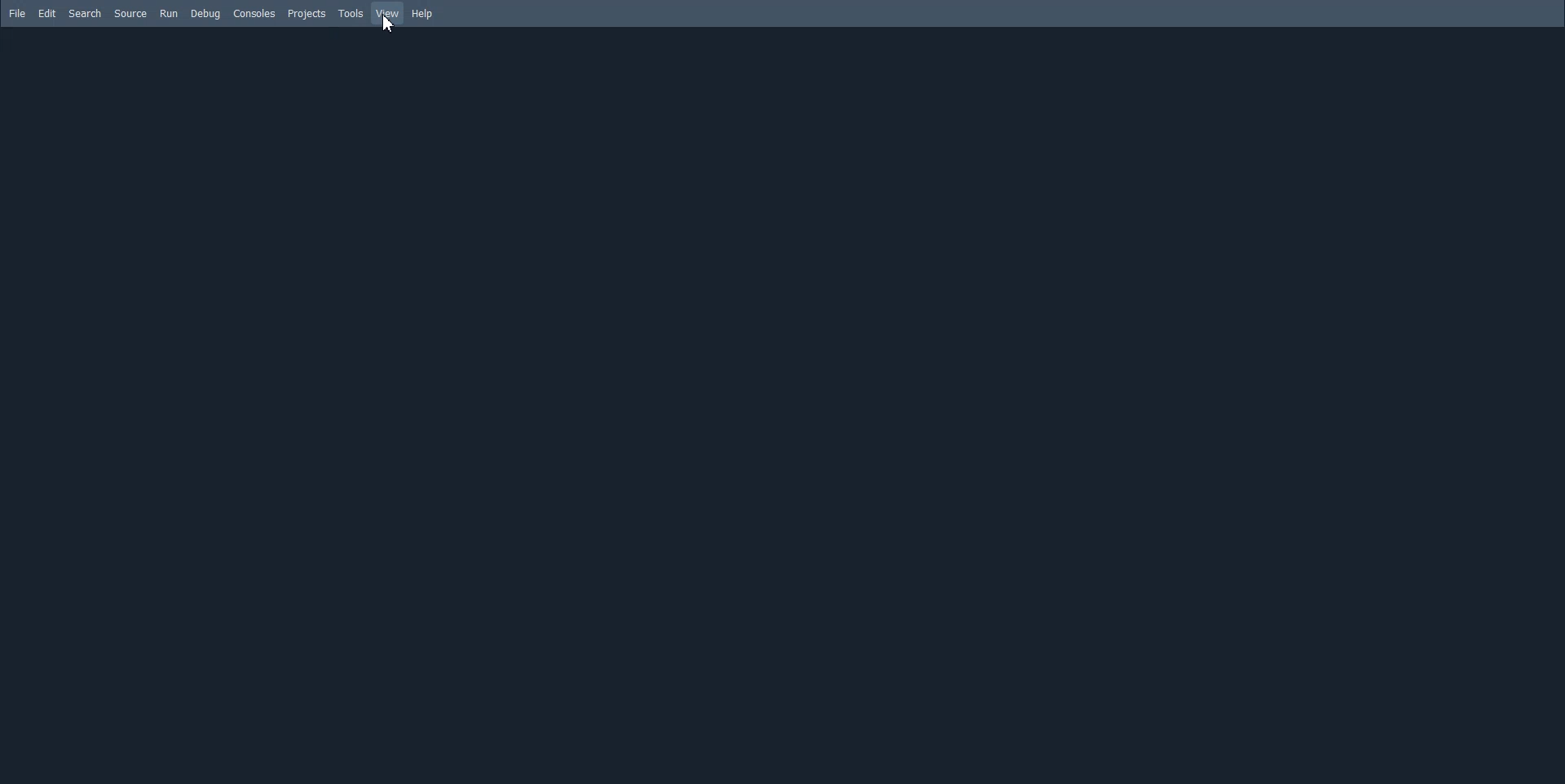 The image size is (1565, 784). What do you see at coordinates (388, 14) in the screenshot?
I see `View` at bounding box center [388, 14].